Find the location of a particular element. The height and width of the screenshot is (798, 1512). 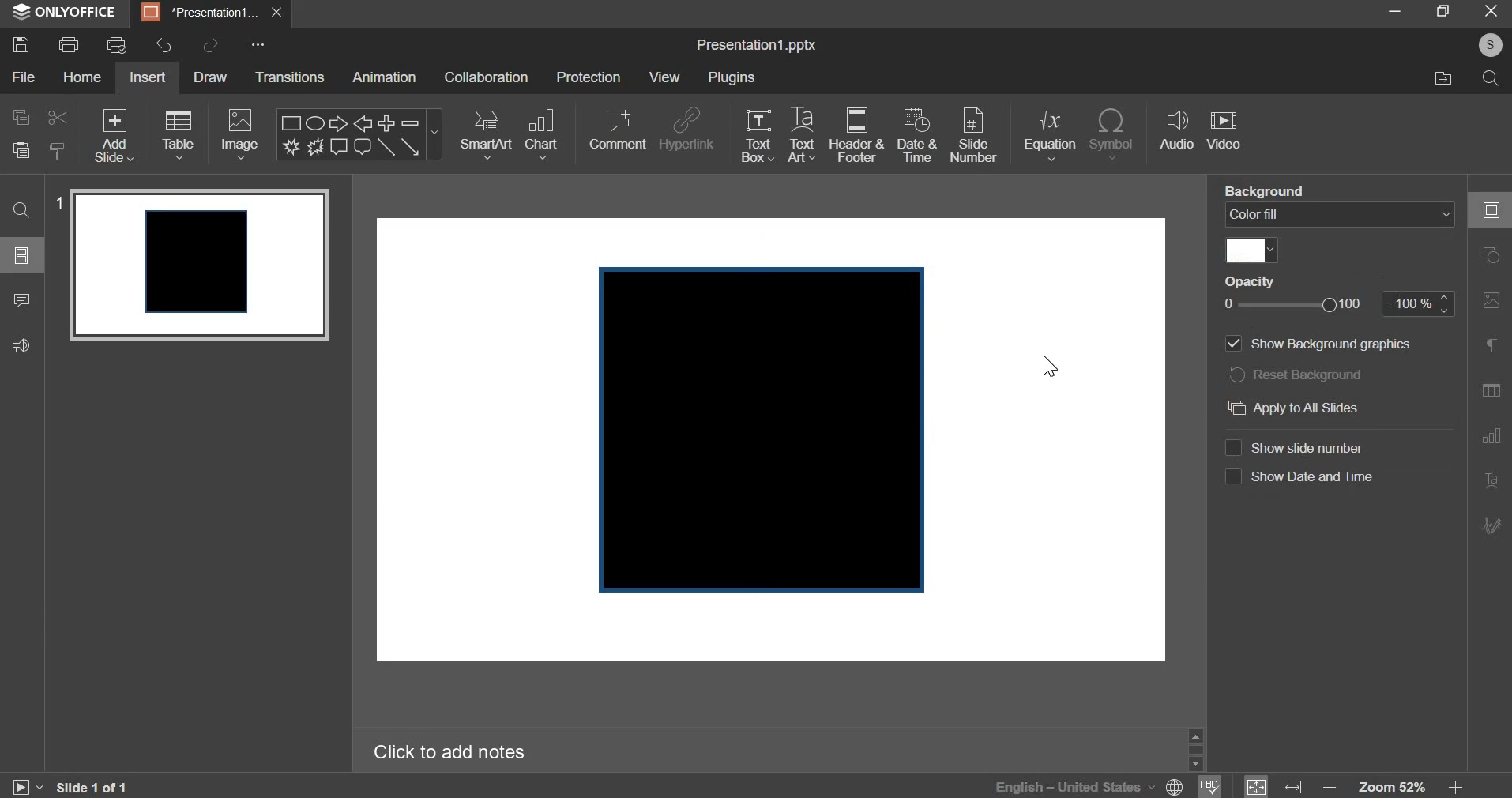

Chat is located at coordinates (363, 148).